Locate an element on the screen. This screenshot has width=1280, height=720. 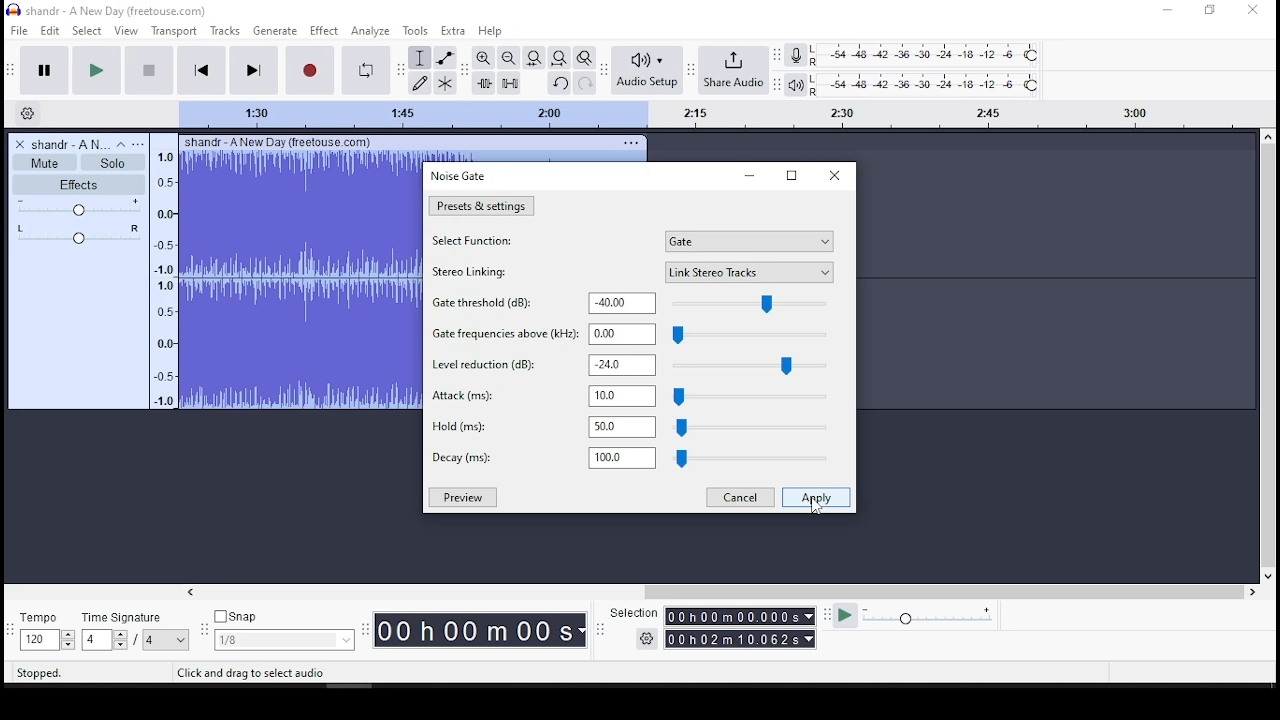
Timer is located at coordinates (477, 632).